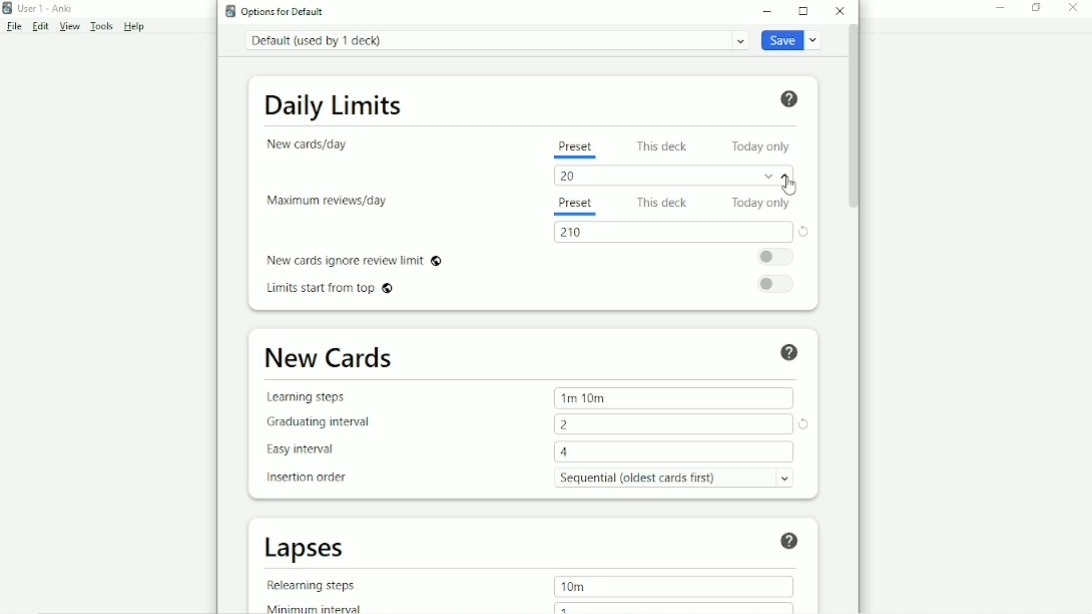  I want to click on Sequential (oldest card first), so click(675, 479).